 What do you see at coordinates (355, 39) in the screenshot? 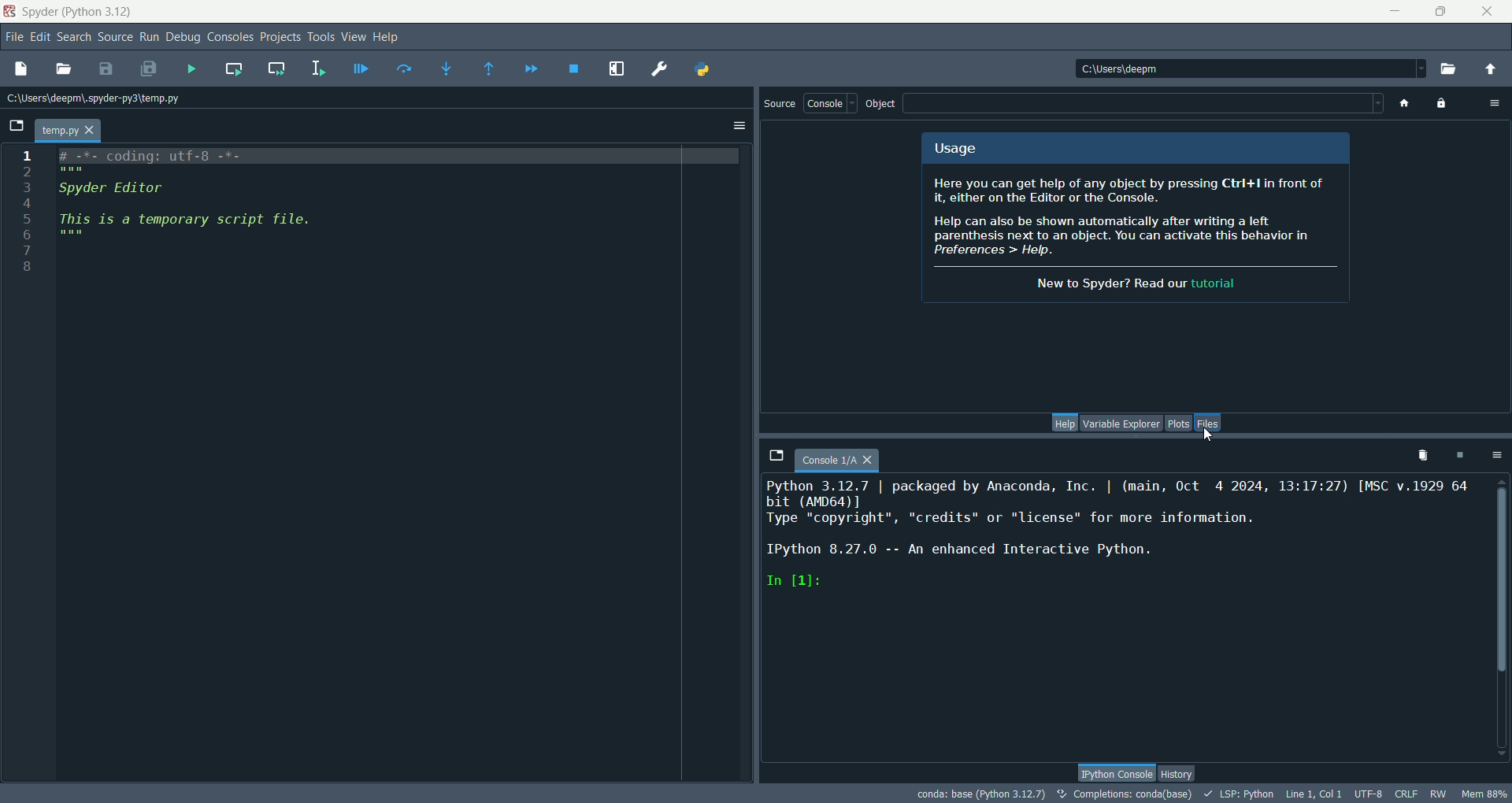
I see `view` at bounding box center [355, 39].